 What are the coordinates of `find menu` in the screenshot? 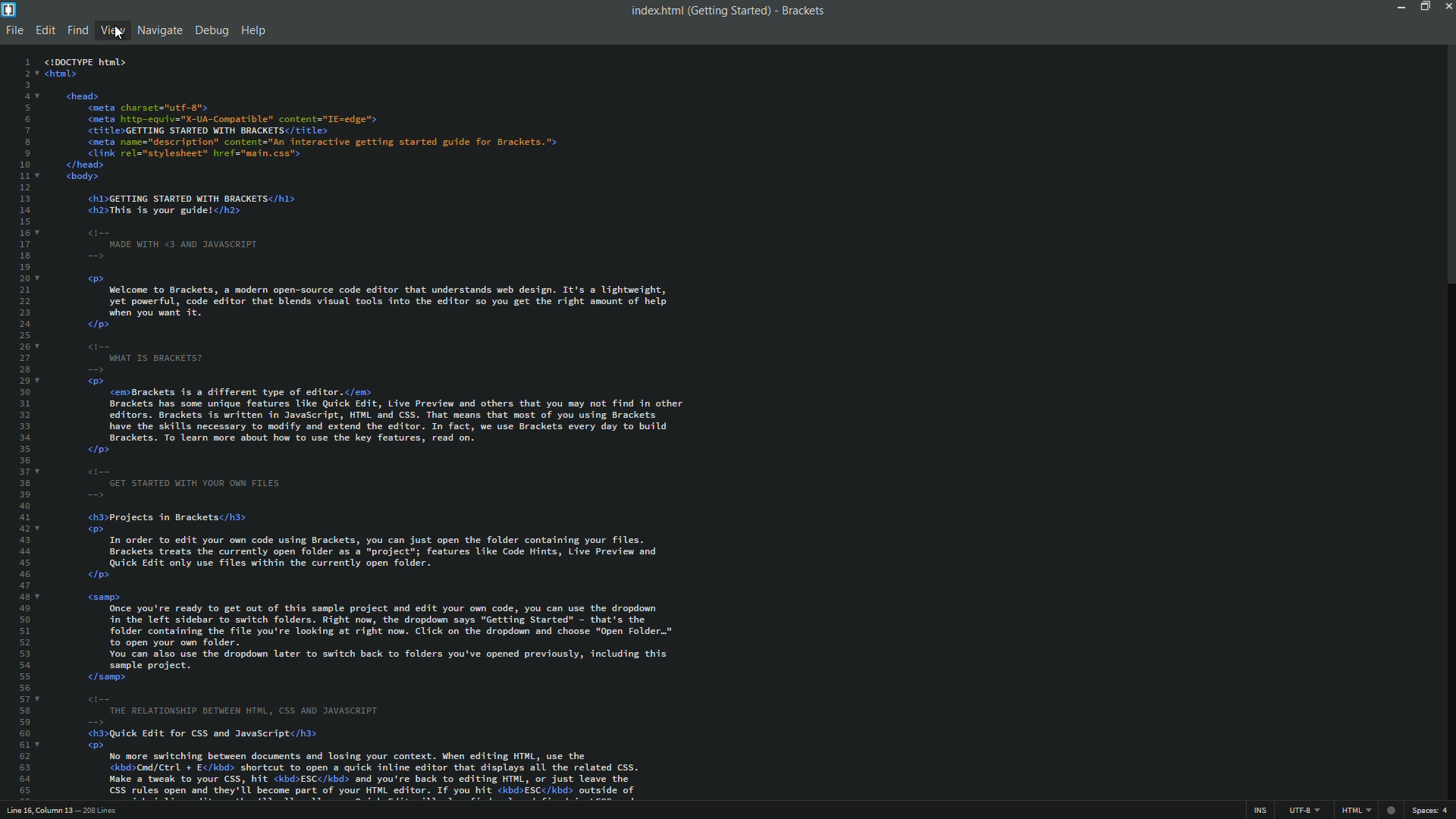 It's located at (76, 31).